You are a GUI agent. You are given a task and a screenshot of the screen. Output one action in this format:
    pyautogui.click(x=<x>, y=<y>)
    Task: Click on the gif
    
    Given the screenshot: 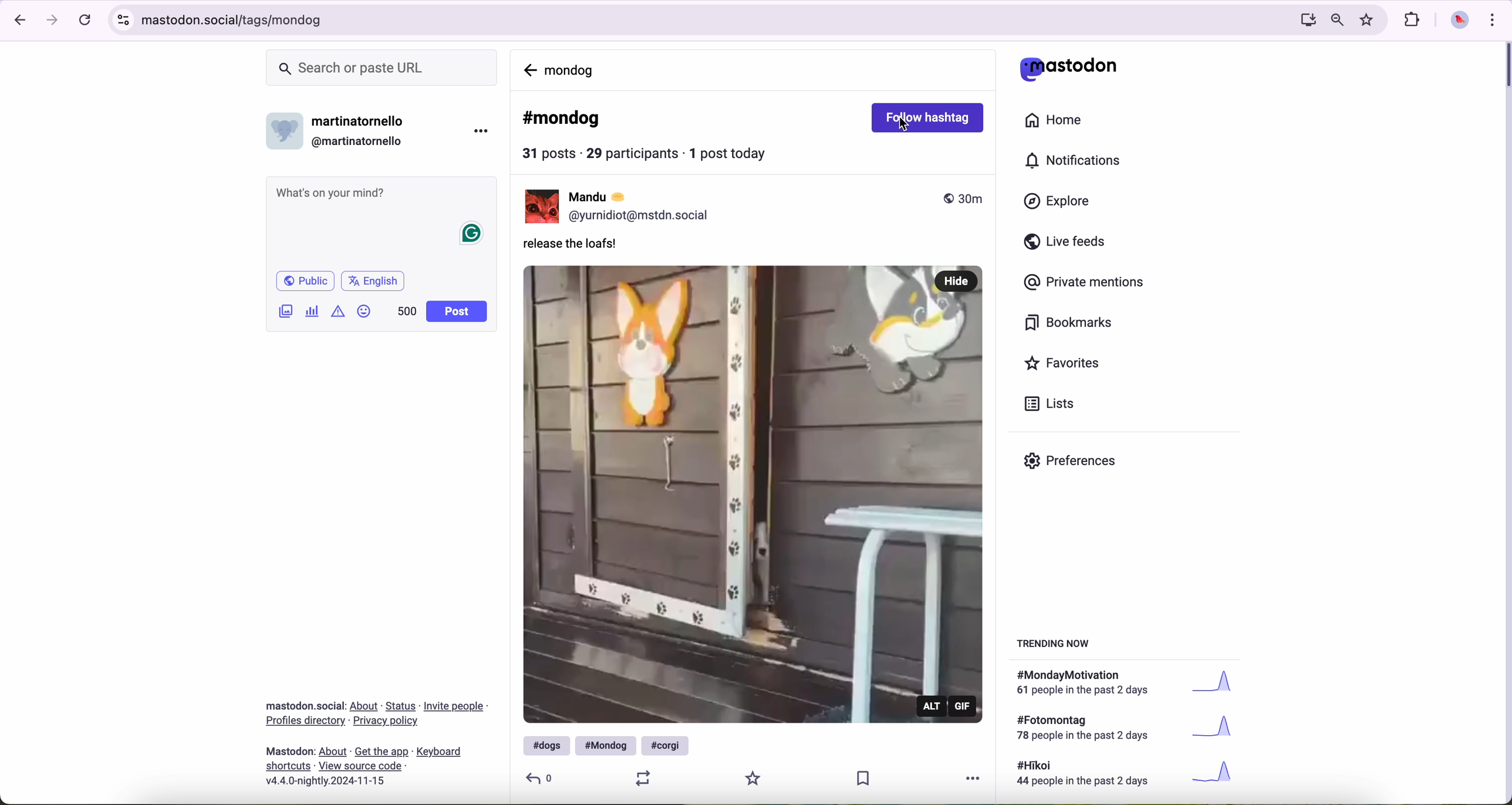 What is the action you would take?
    pyautogui.click(x=964, y=706)
    